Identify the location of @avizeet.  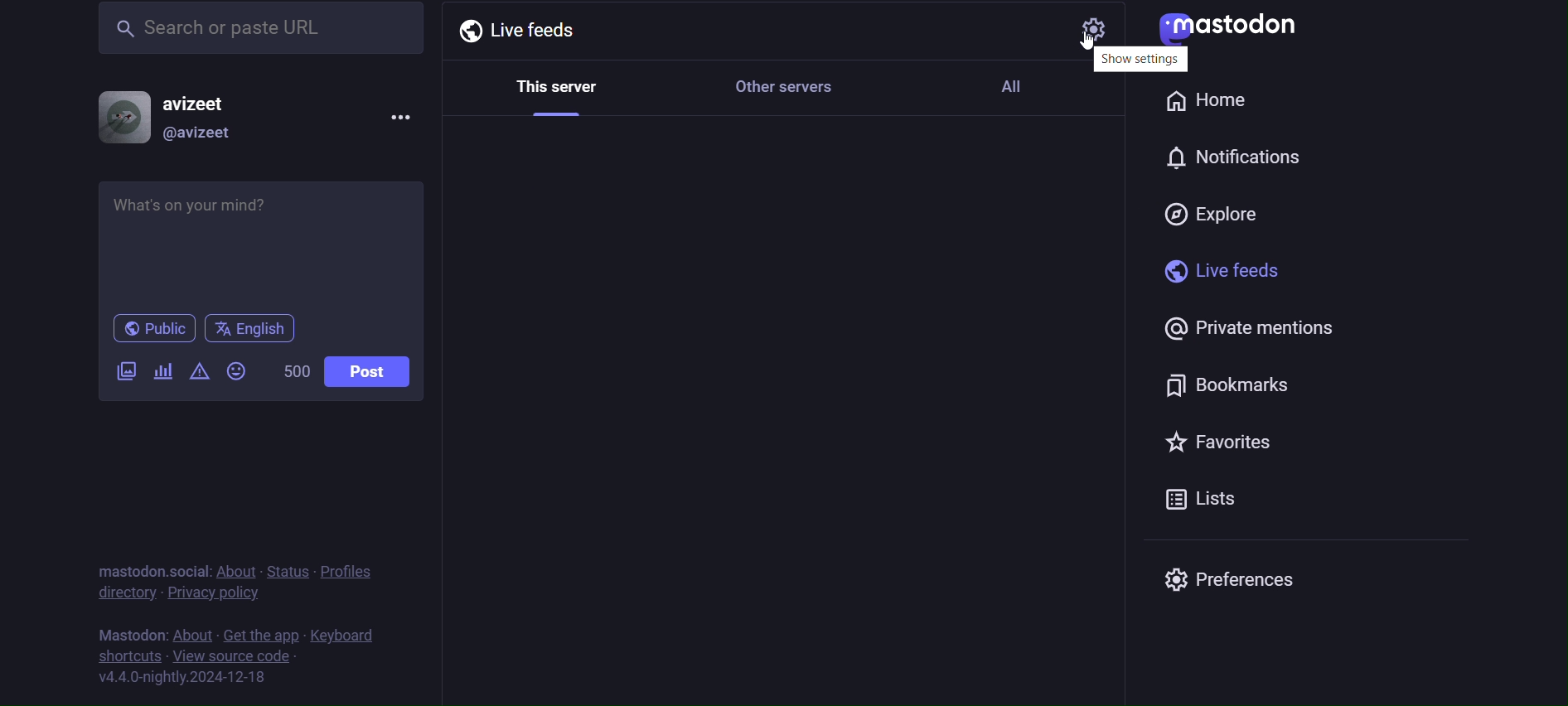
(198, 133).